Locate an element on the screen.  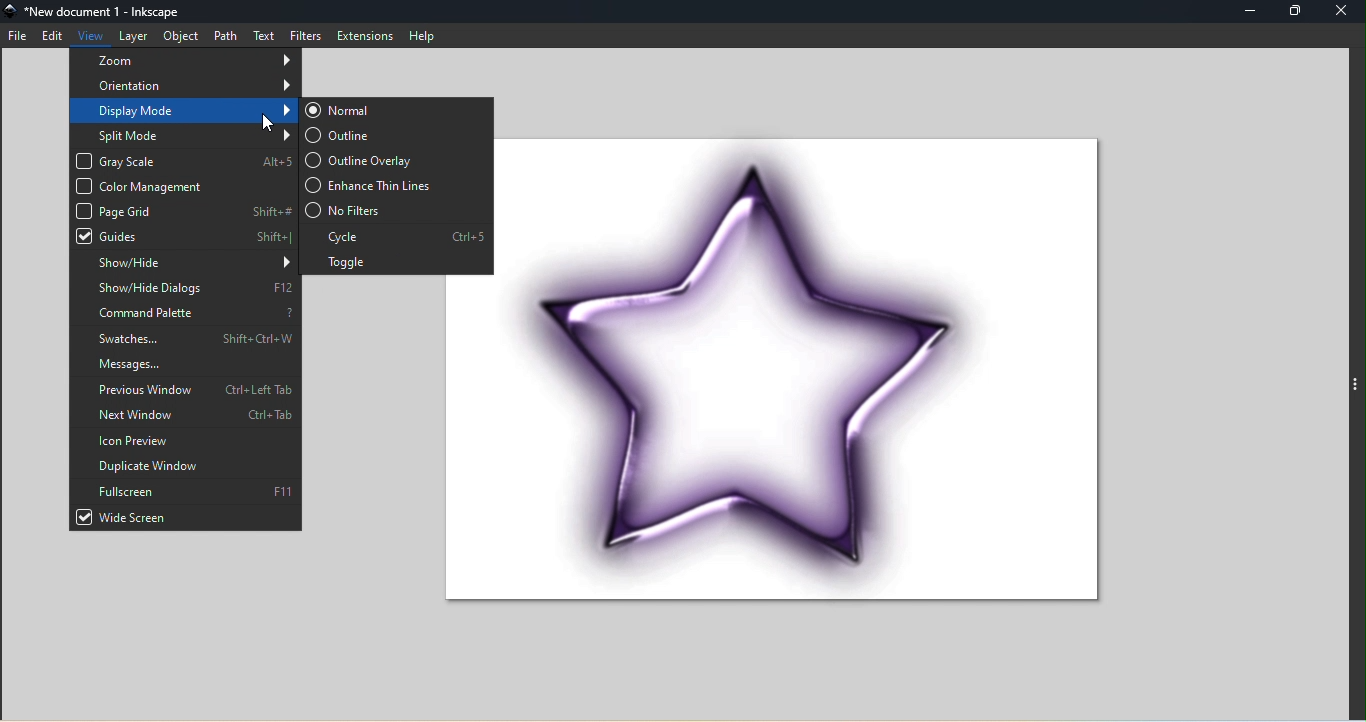
Orientation is located at coordinates (183, 87).